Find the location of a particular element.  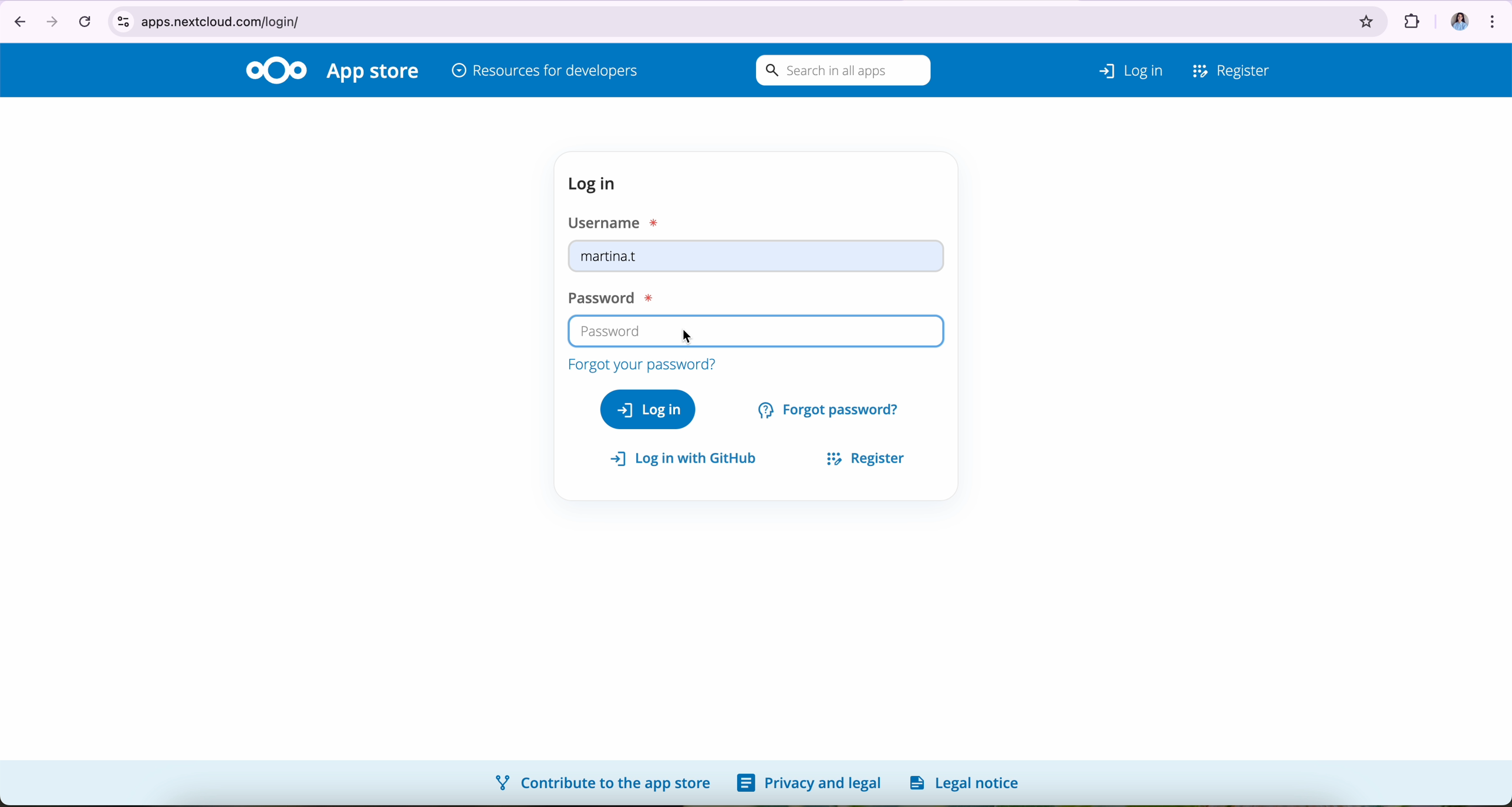

username* is located at coordinates (616, 221).